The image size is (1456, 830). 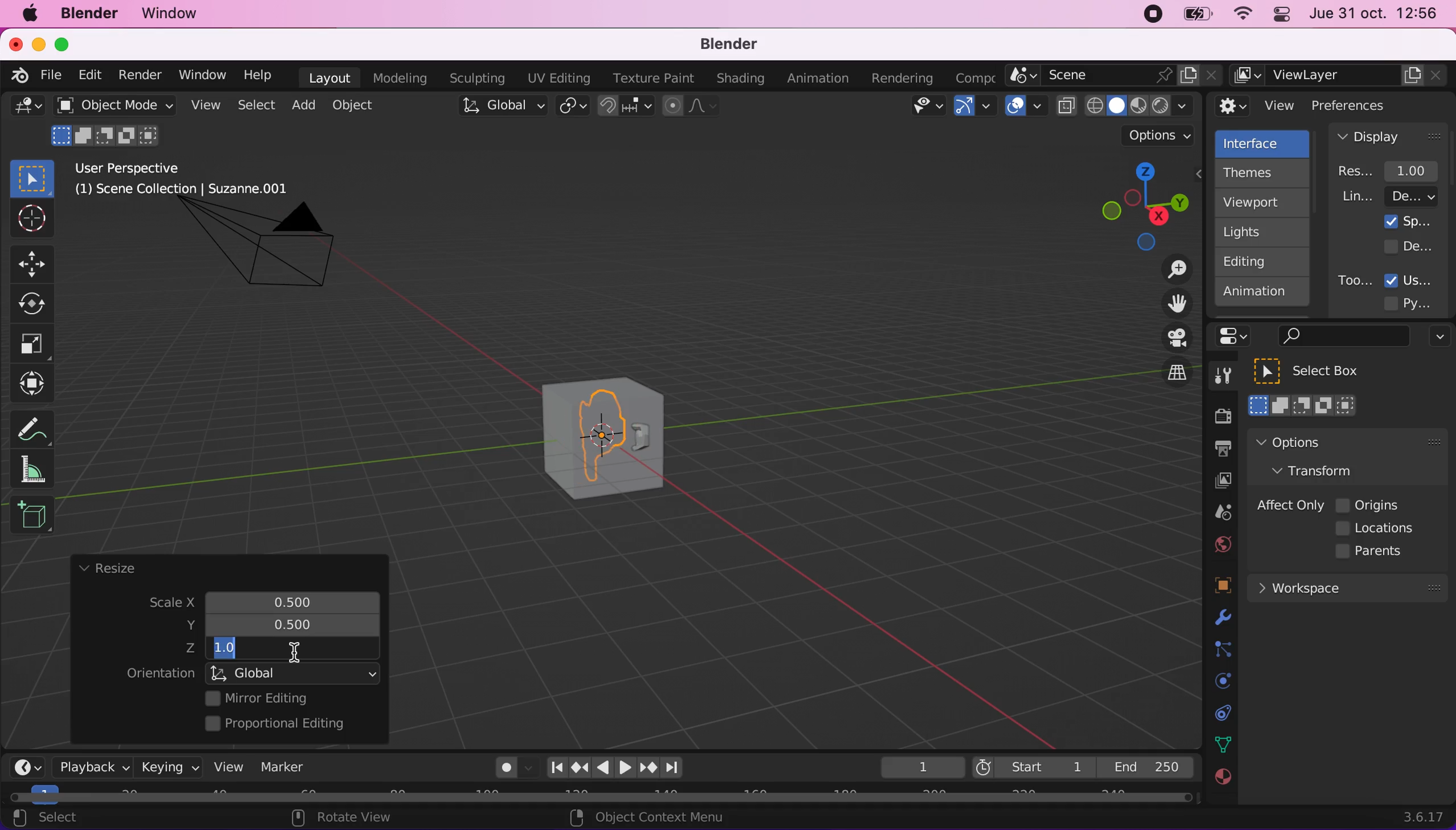 What do you see at coordinates (272, 255) in the screenshot?
I see `camera` at bounding box center [272, 255].